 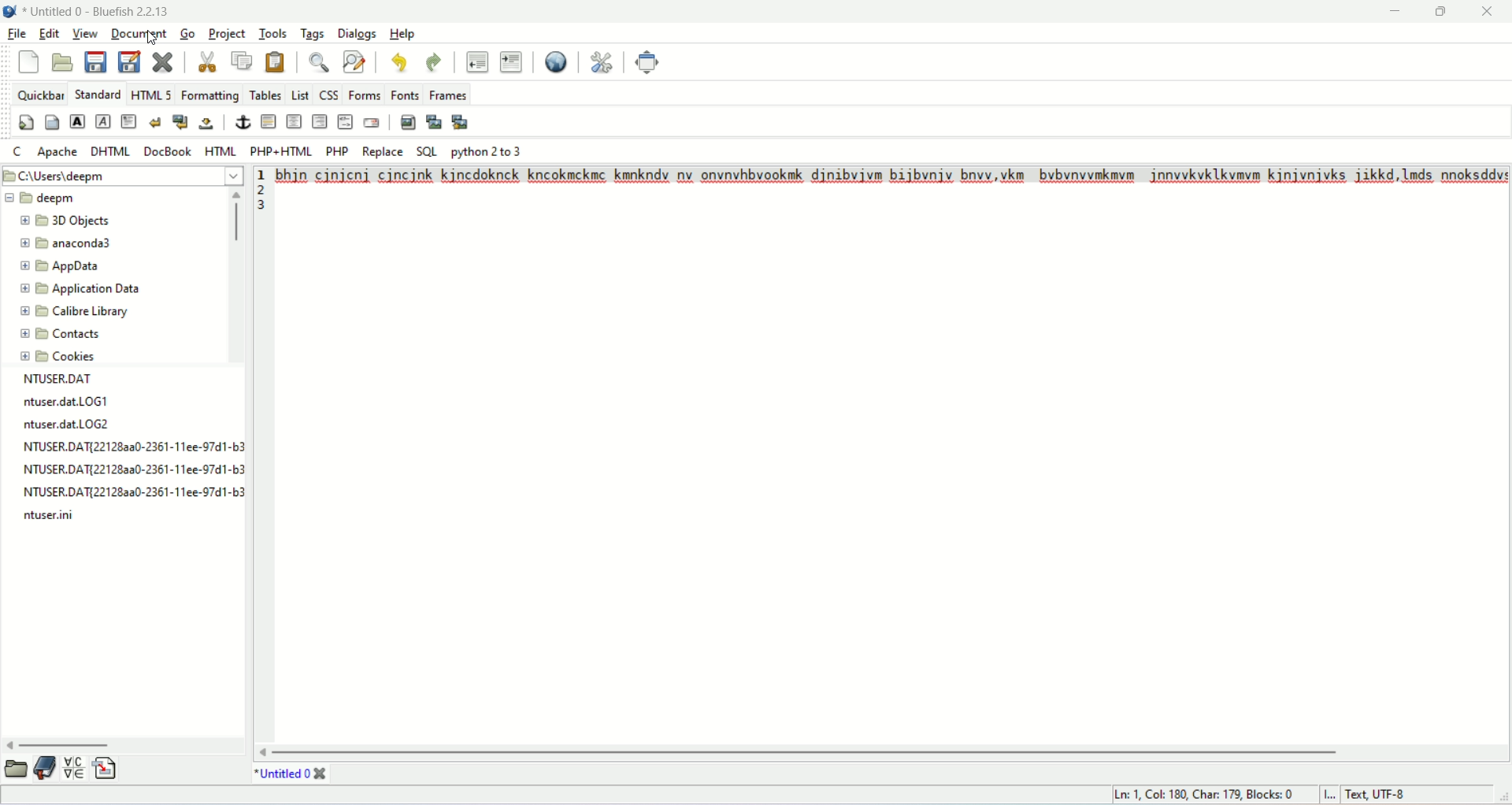 I want to click on break and clear, so click(x=182, y=121).